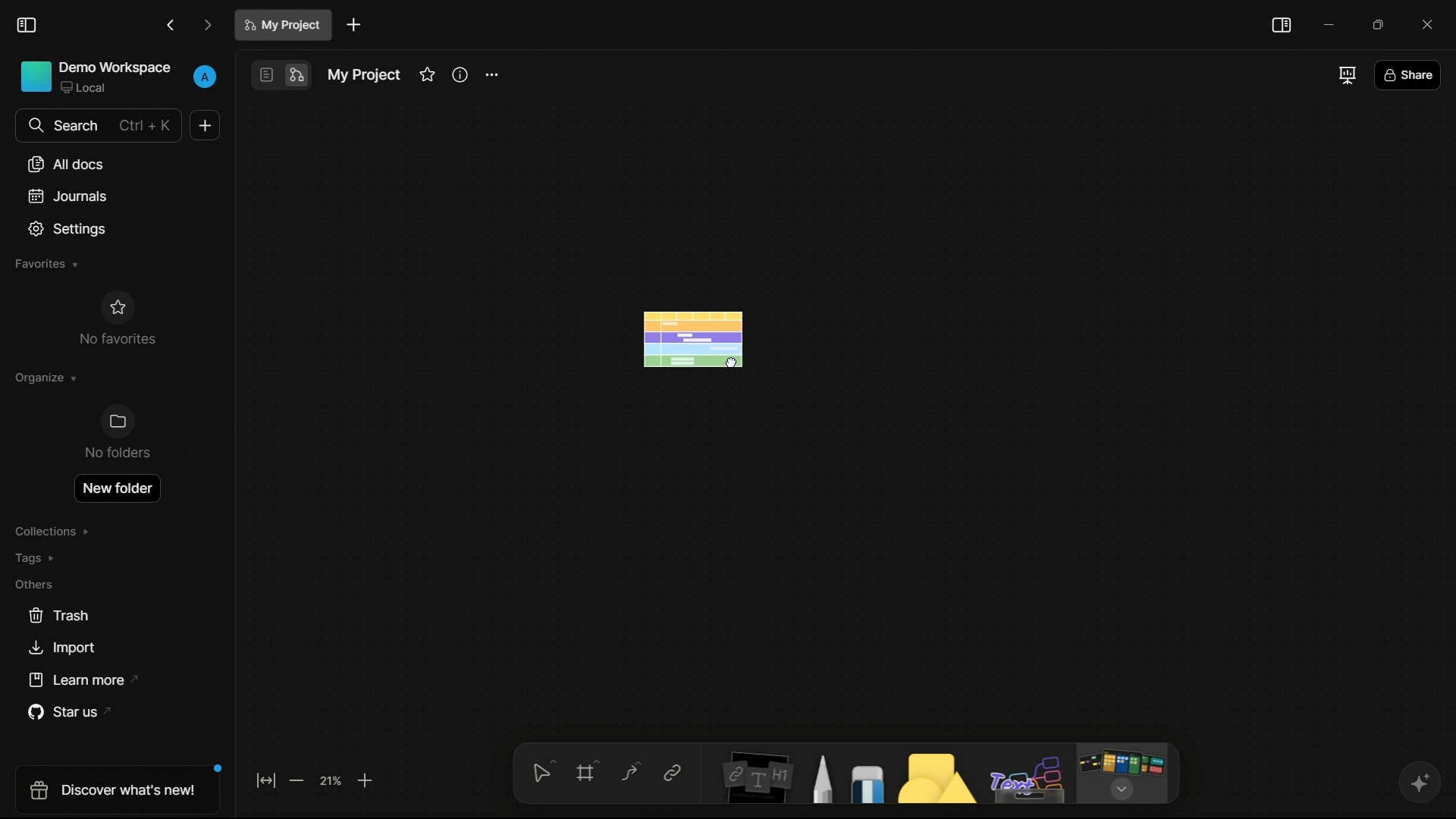  I want to click on collections, so click(54, 532).